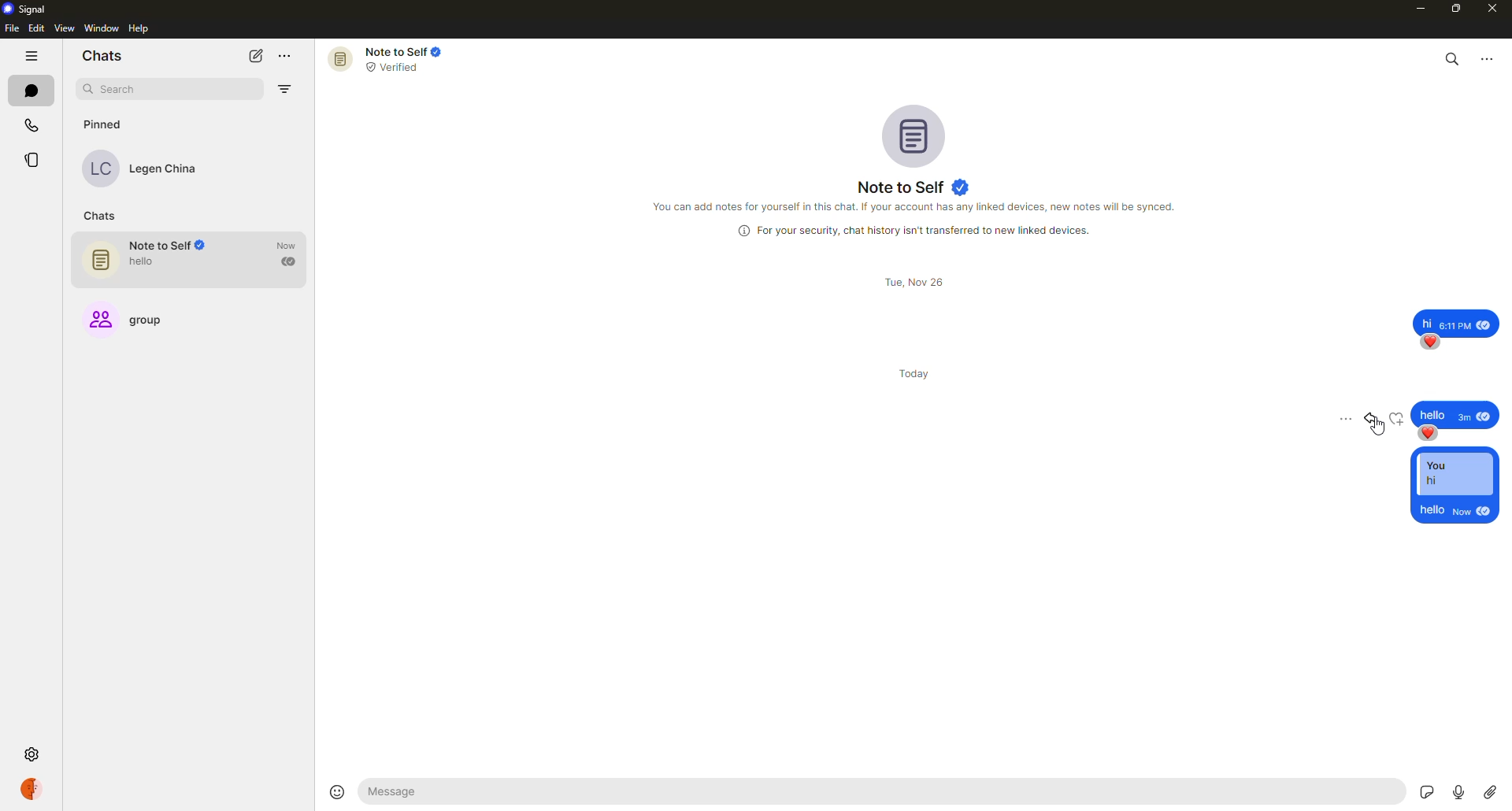 Image resolution: width=1512 pixels, height=811 pixels. What do you see at coordinates (104, 55) in the screenshot?
I see `chats` at bounding box center [104, 55].